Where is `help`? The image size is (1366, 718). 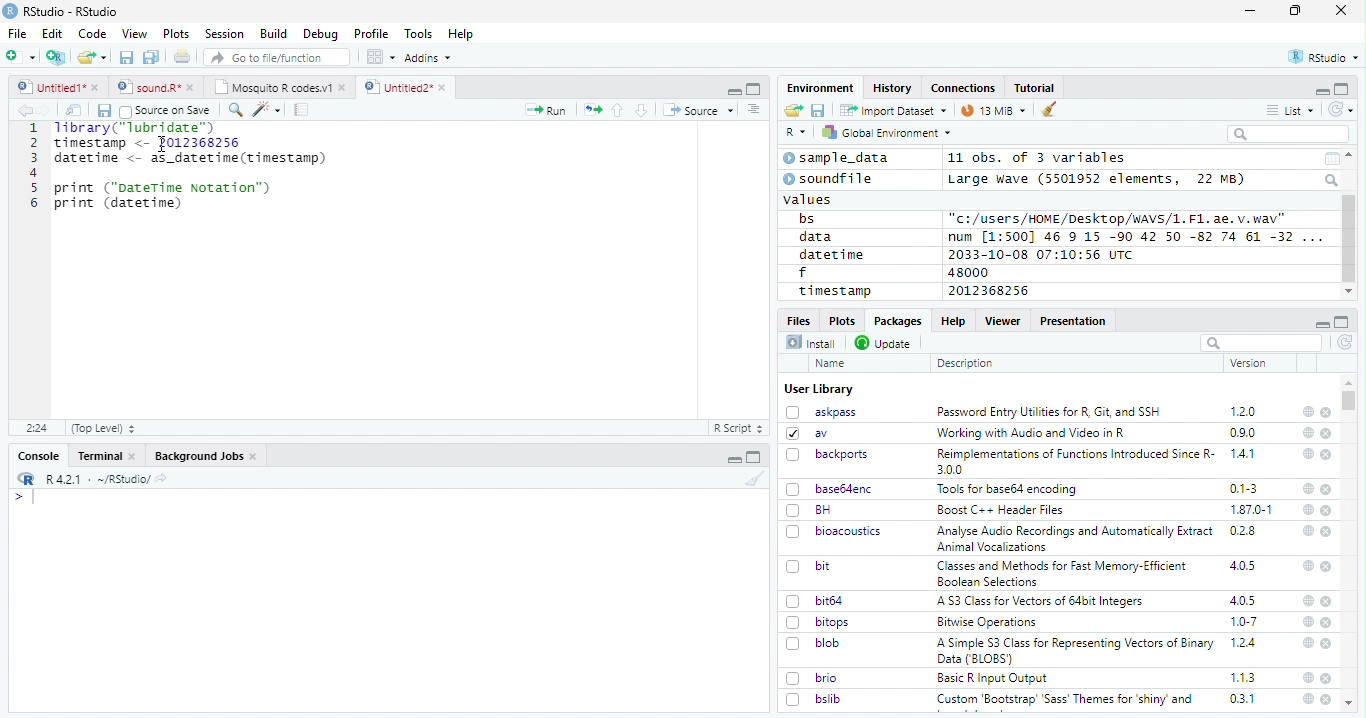
help is located at coordinates (1308, 489).